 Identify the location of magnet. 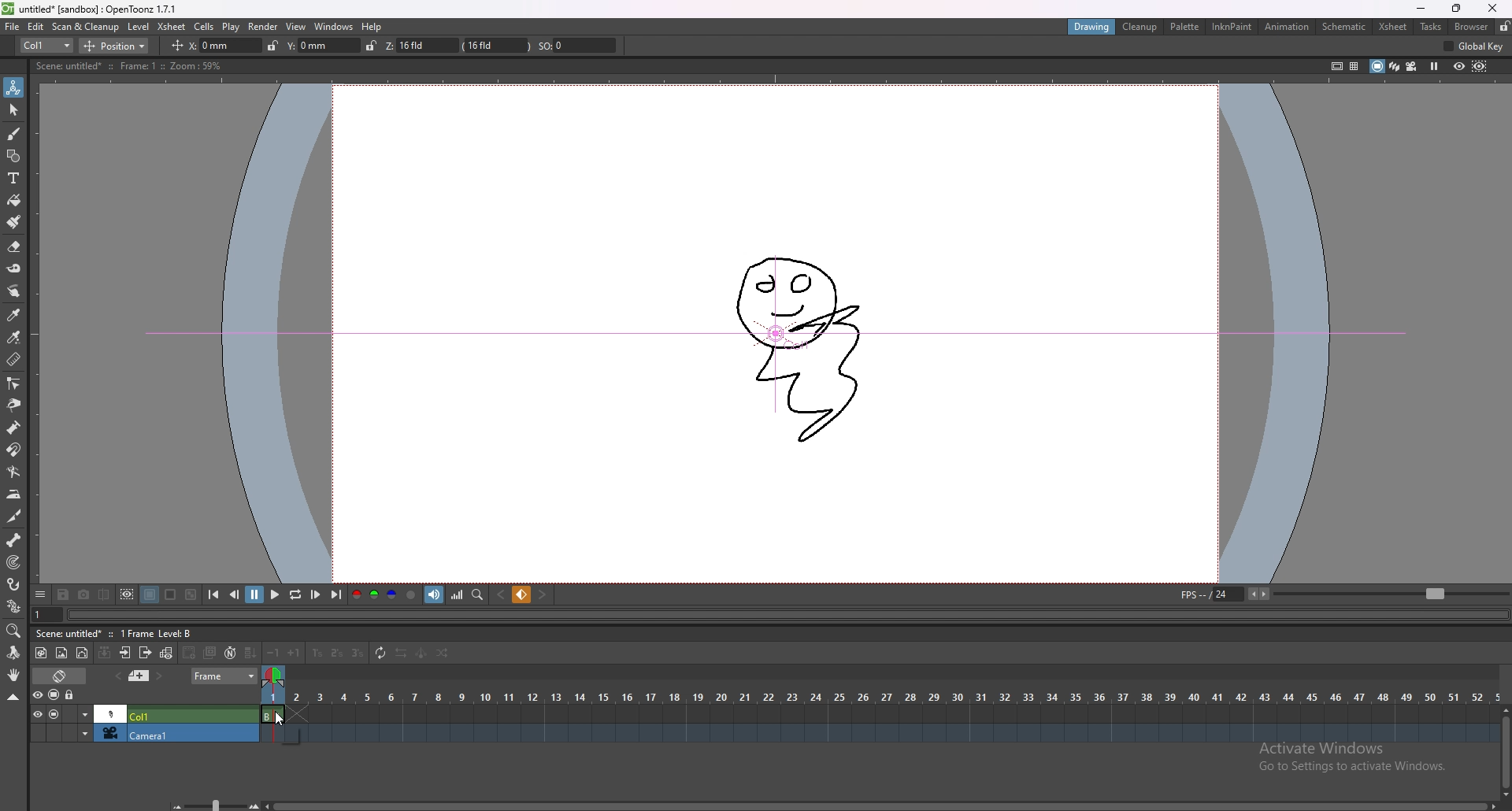
(13, 450).